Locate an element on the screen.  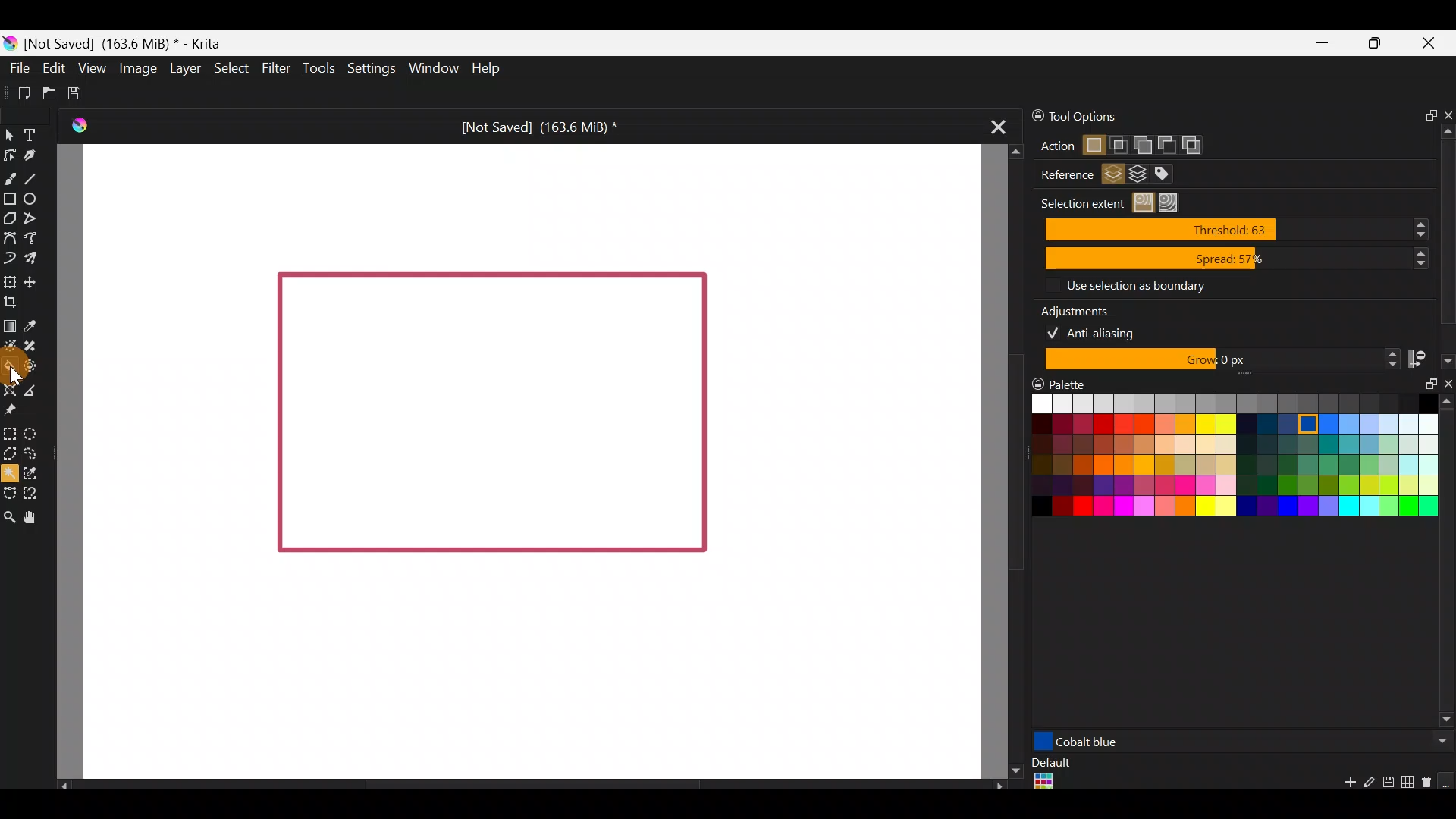
Maximize is located at coordinates (1379, 40).